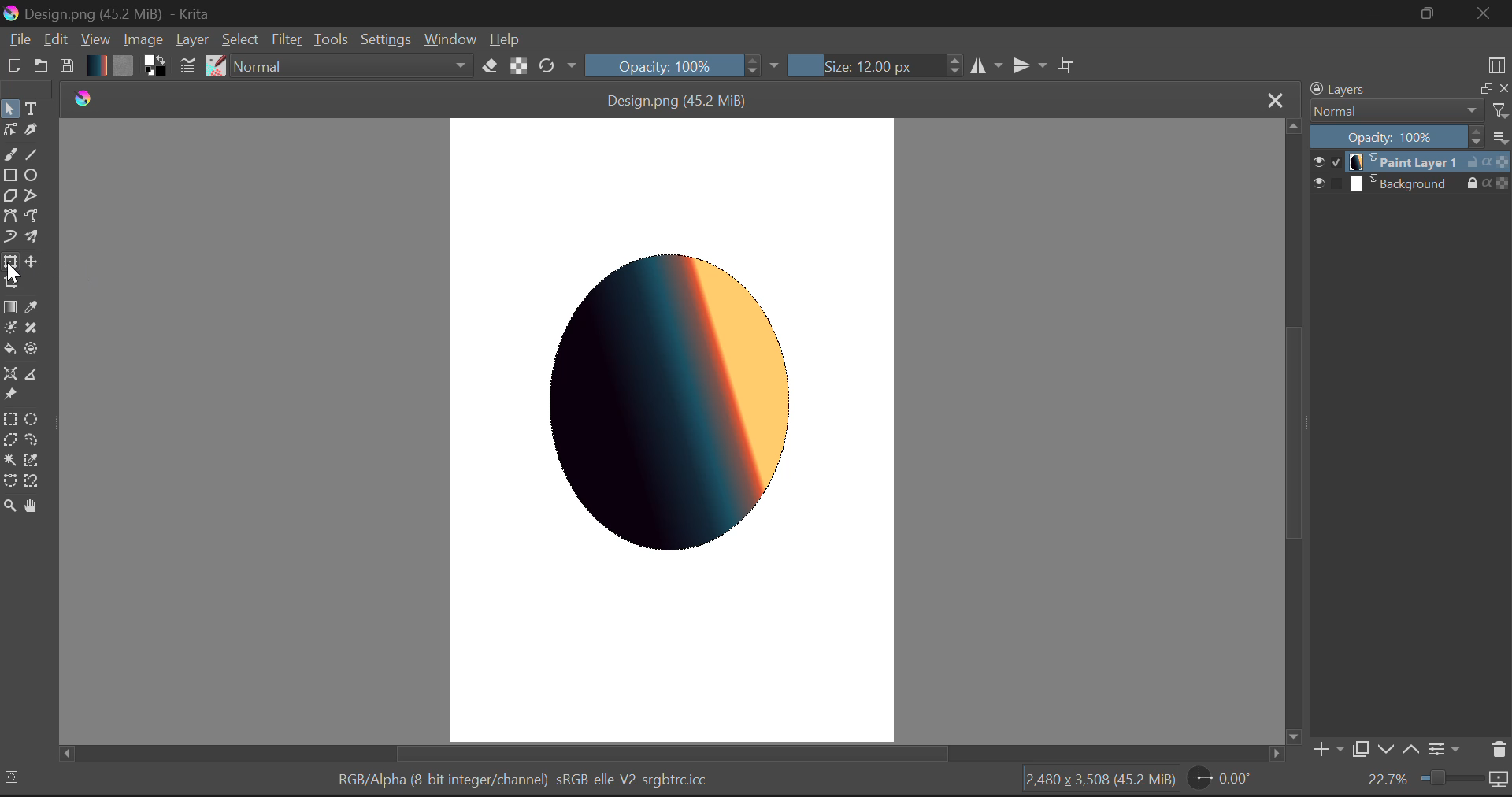  Describe the element at coordinates (1409, 89) in the screenshot. I see `Layers Docker Tab` at that location.